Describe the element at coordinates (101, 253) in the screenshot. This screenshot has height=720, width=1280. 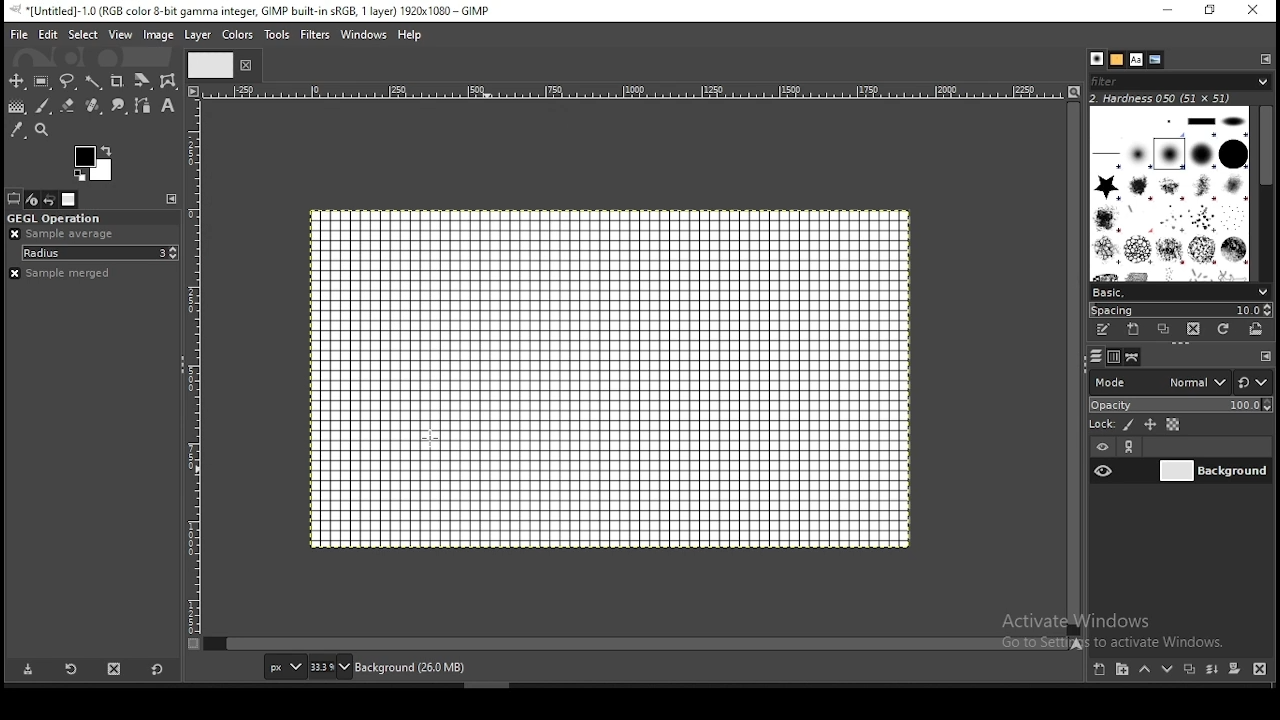
I see `radius` at that location.